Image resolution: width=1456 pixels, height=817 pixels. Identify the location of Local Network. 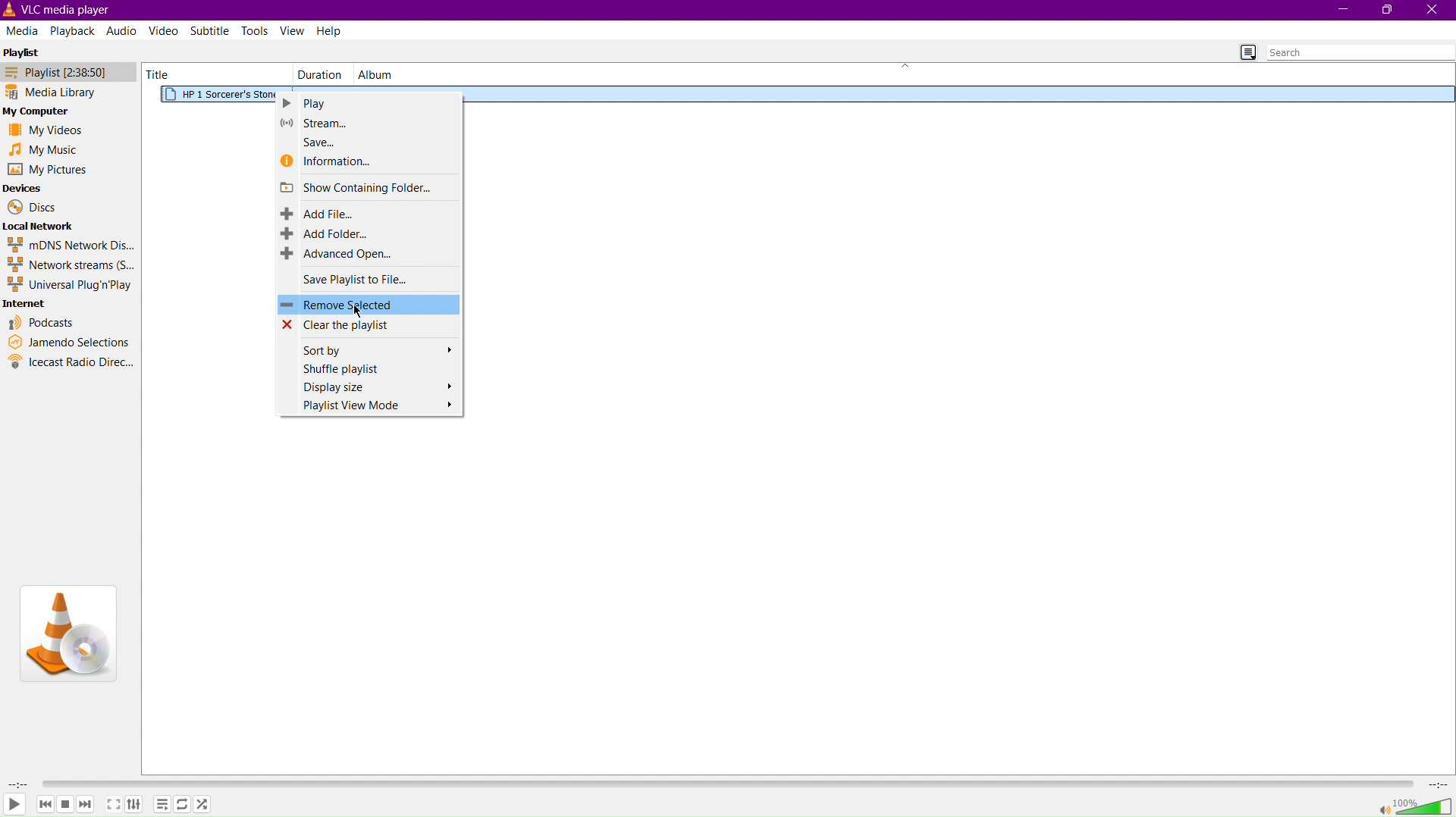
(41, 226).